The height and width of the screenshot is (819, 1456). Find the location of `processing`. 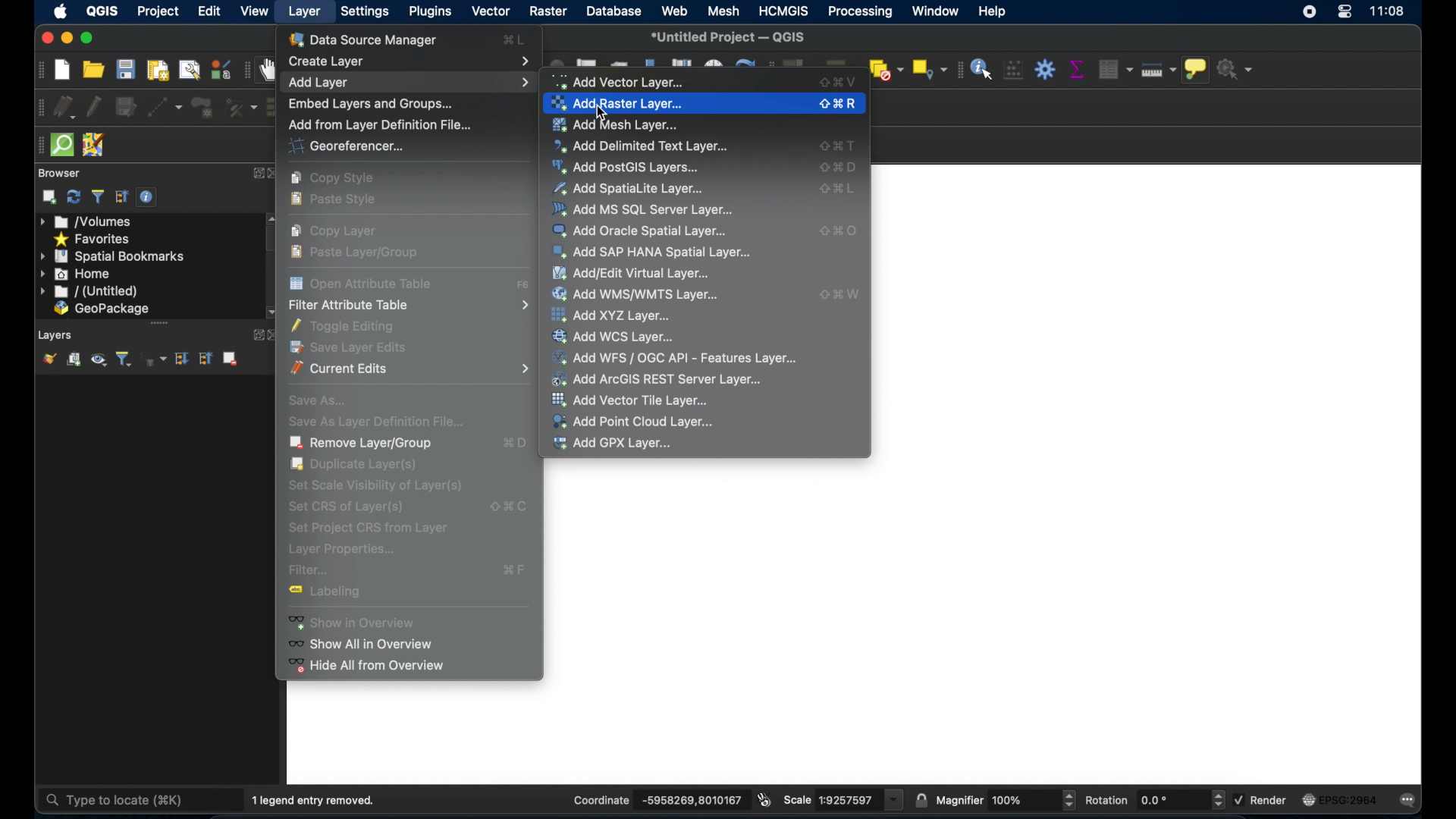

processing is located at coordinates (858, 11).